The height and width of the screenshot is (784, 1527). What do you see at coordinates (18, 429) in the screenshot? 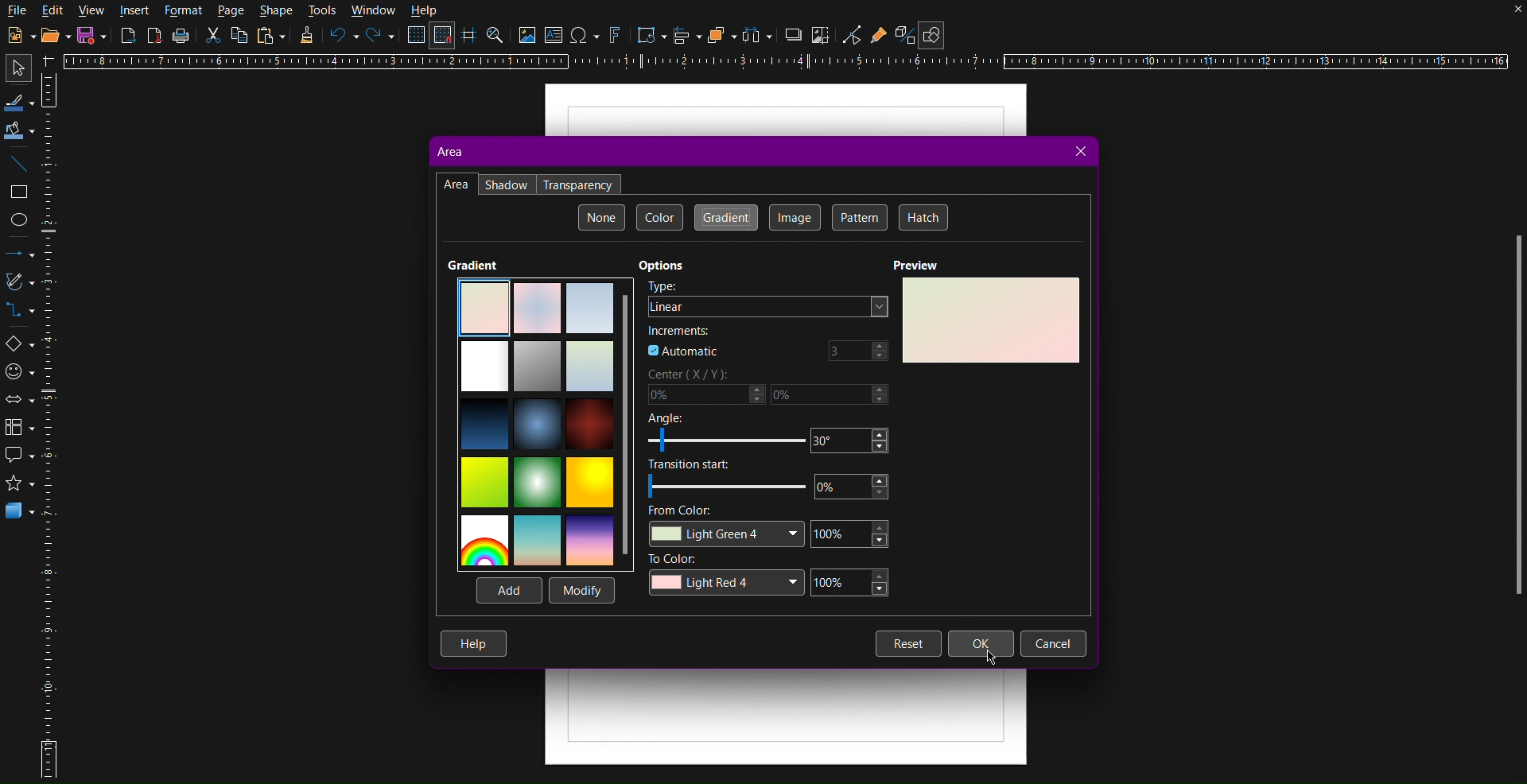
I see `Flowchart` at bounding box center [18, 429].